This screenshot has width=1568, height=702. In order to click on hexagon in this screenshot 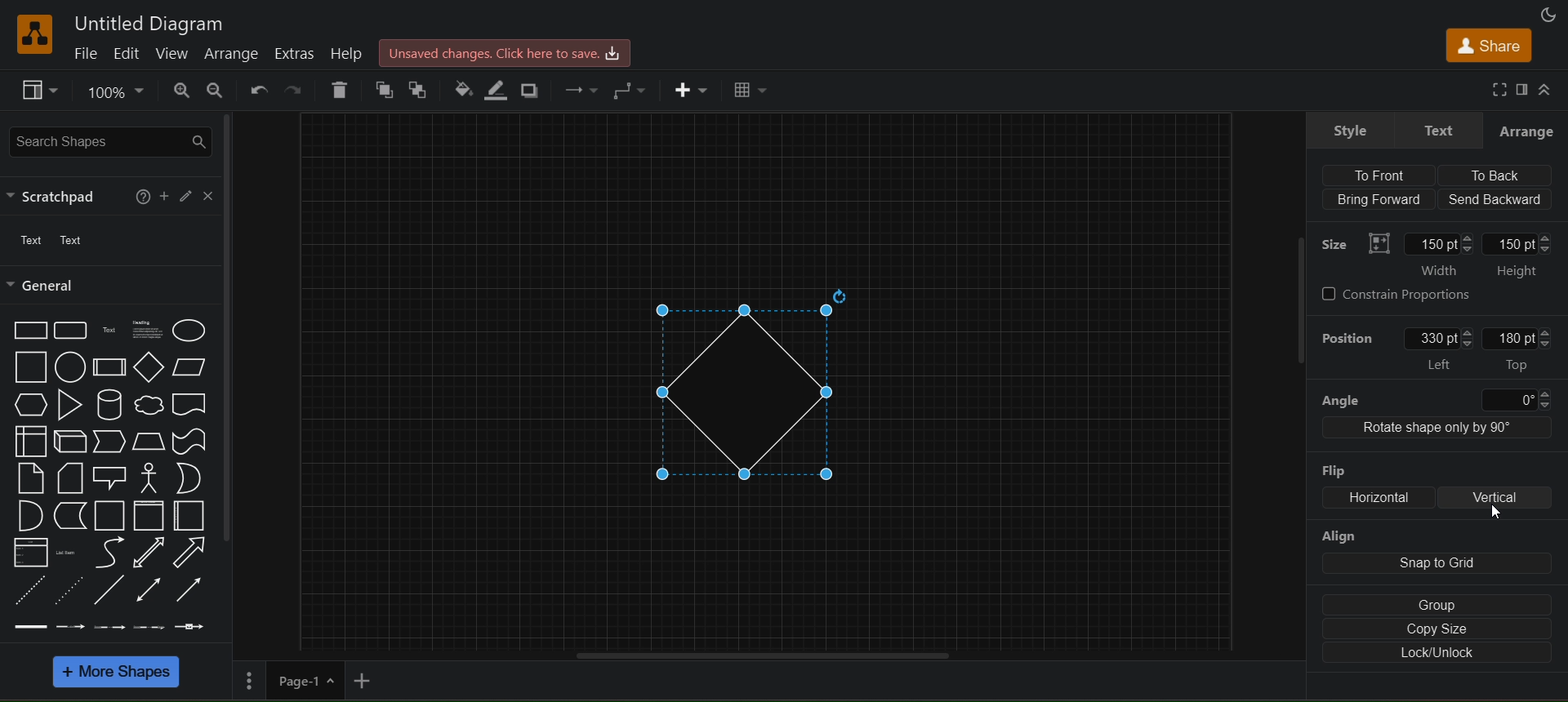, I will do `click(28, 404)`.